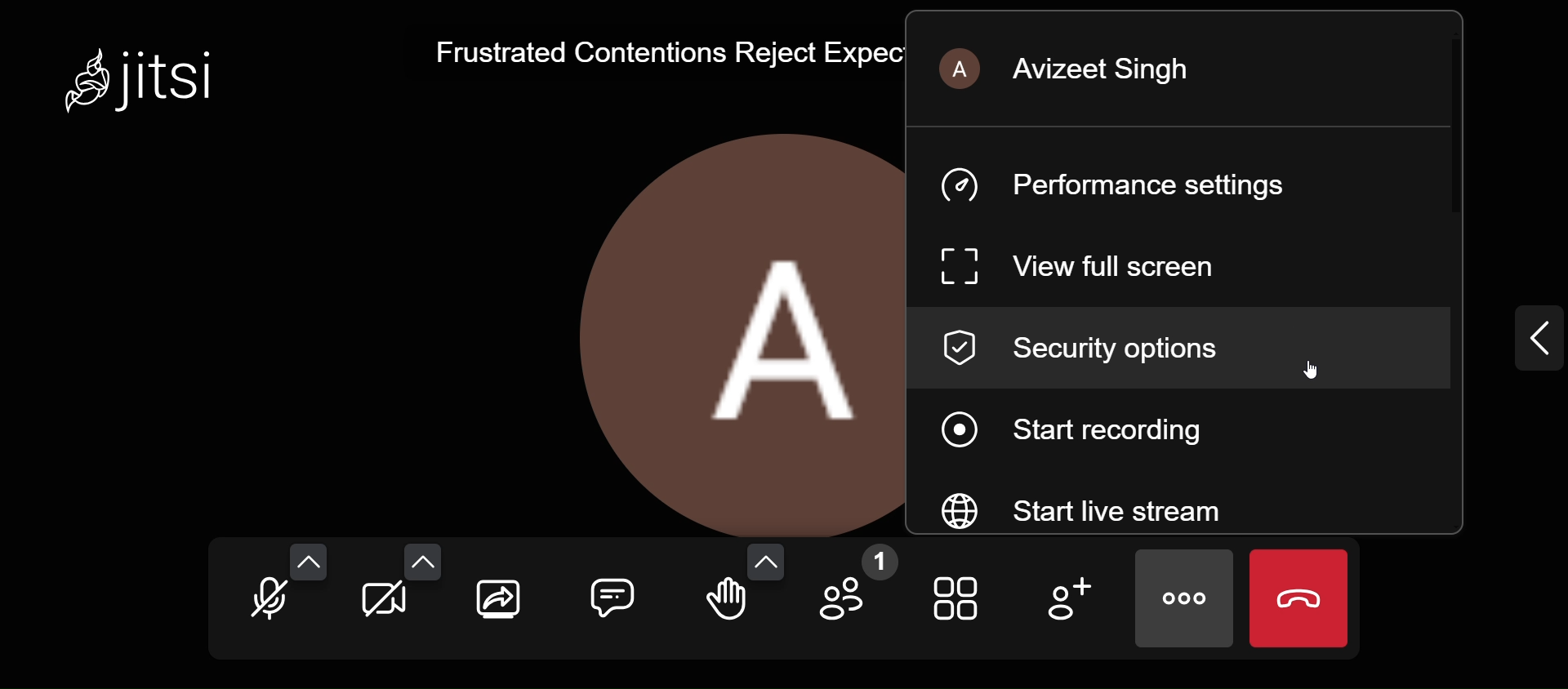  I want to click on add participants, so click(1073, 601).